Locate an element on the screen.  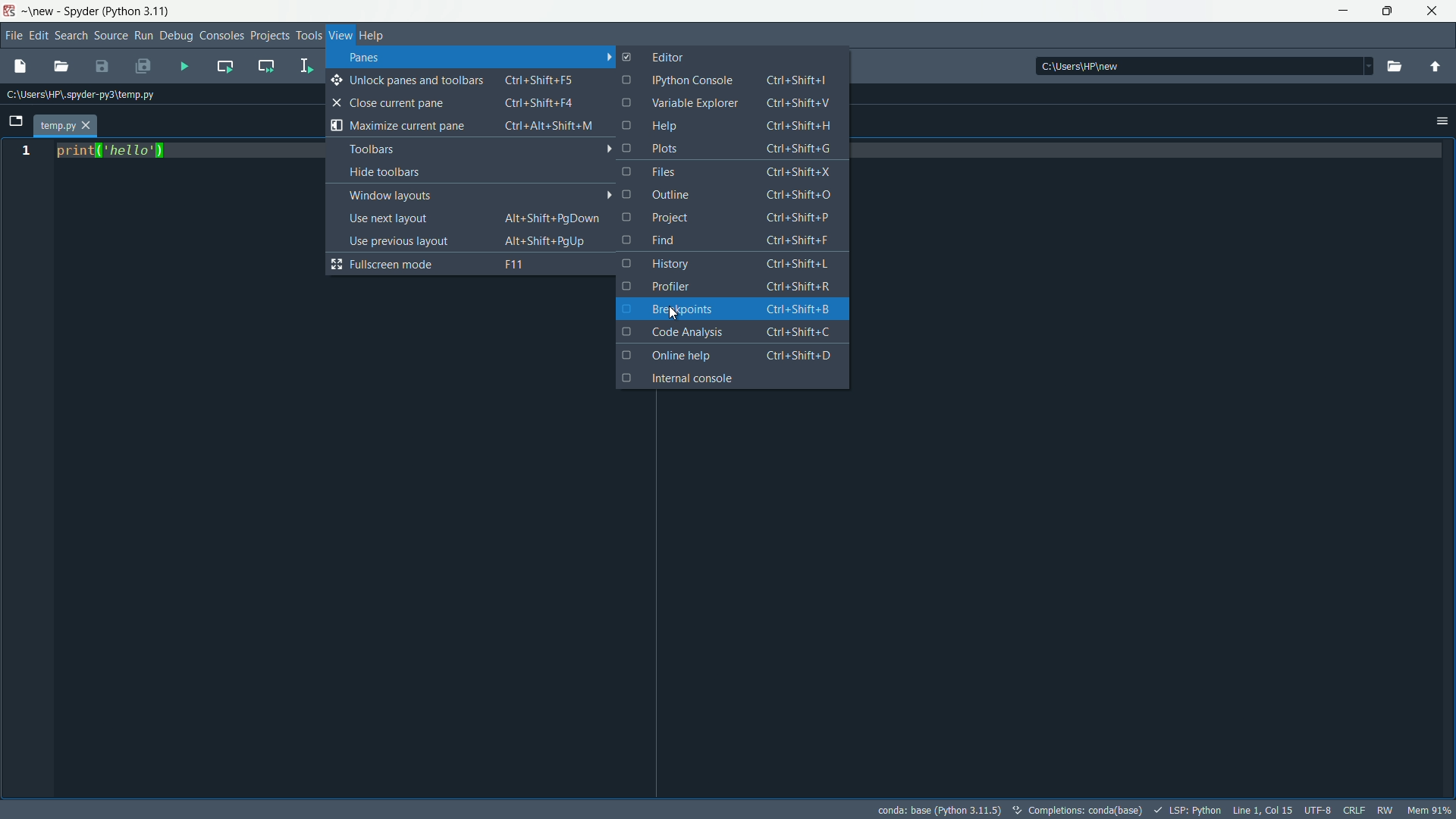
help menu is located at coordinates (375, 35).